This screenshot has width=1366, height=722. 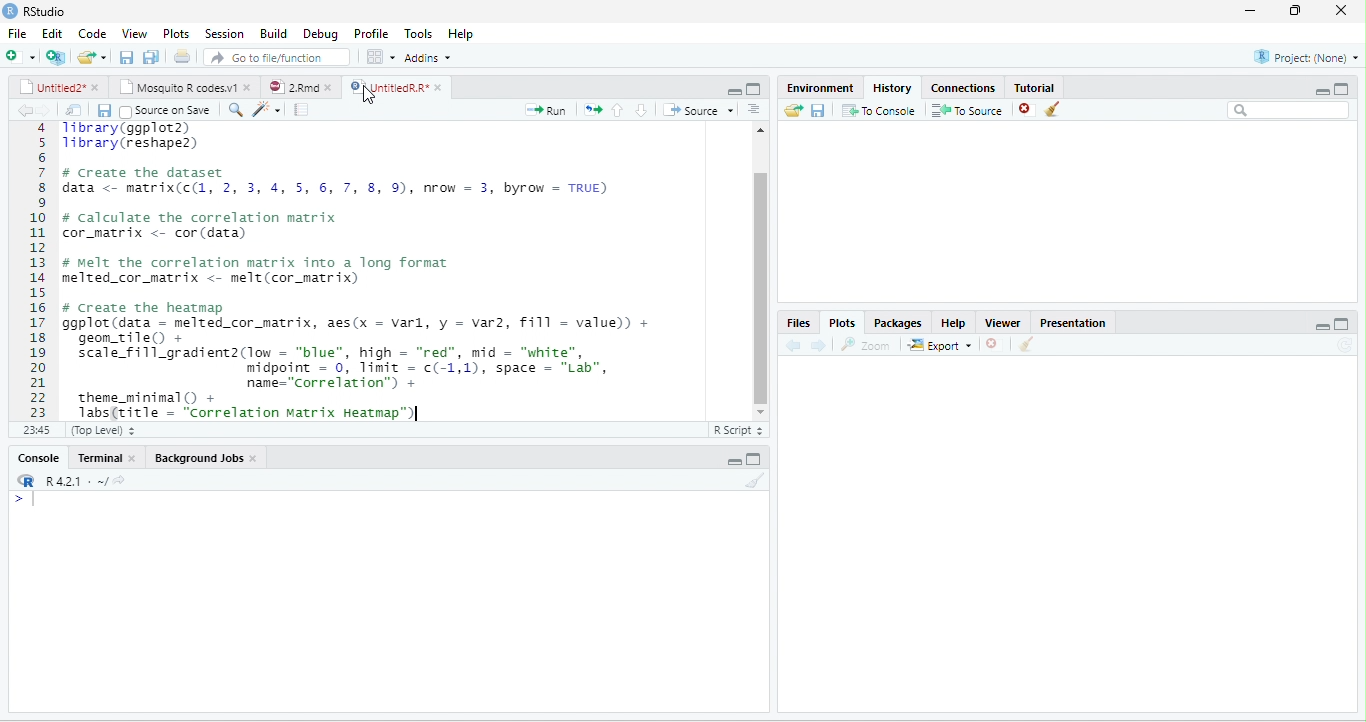 What do you see at coordinates (786, 110) in the screenshot?
I see `send file` at bounding box center [786, 110].